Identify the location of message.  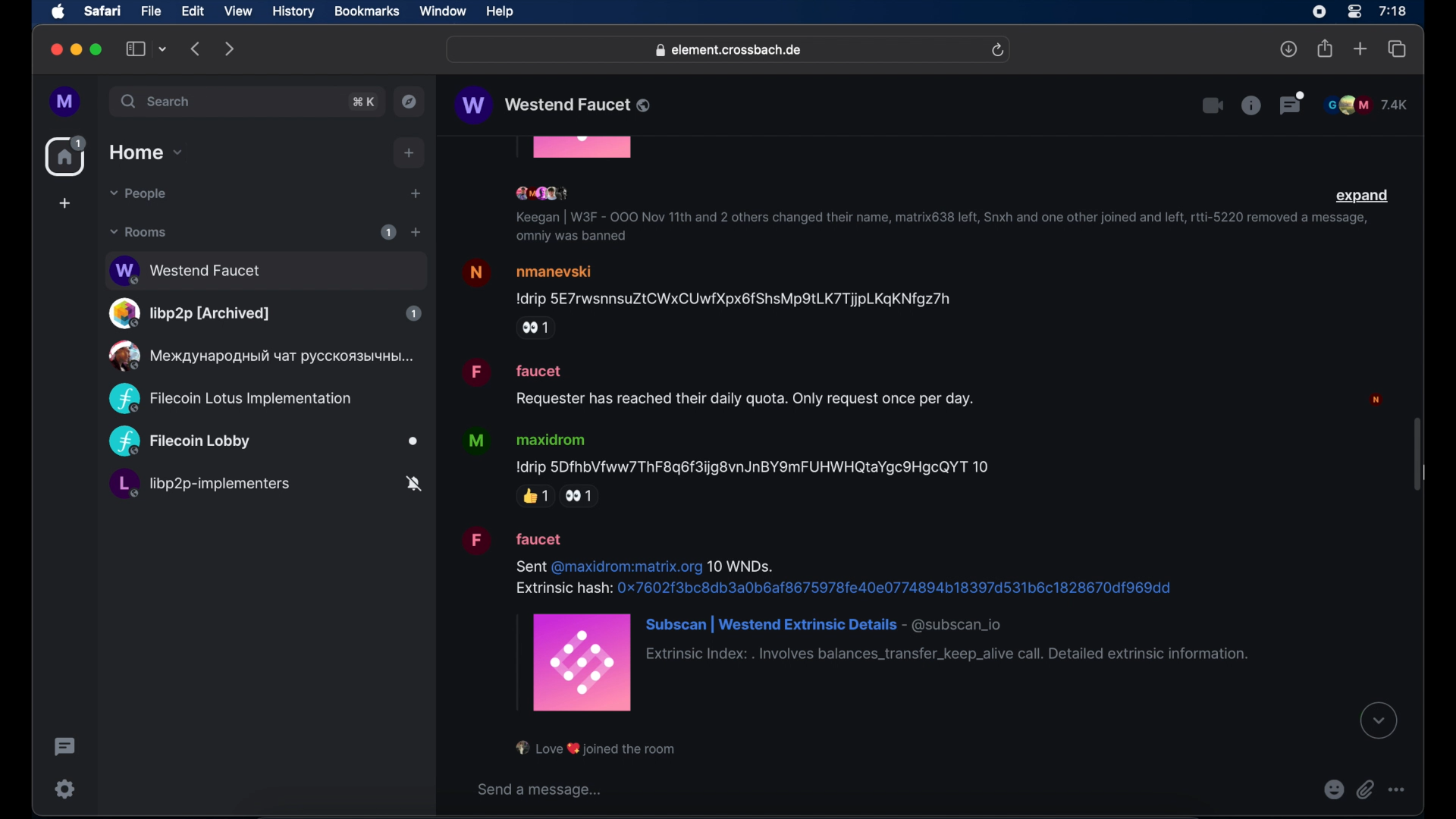
(855, 618).